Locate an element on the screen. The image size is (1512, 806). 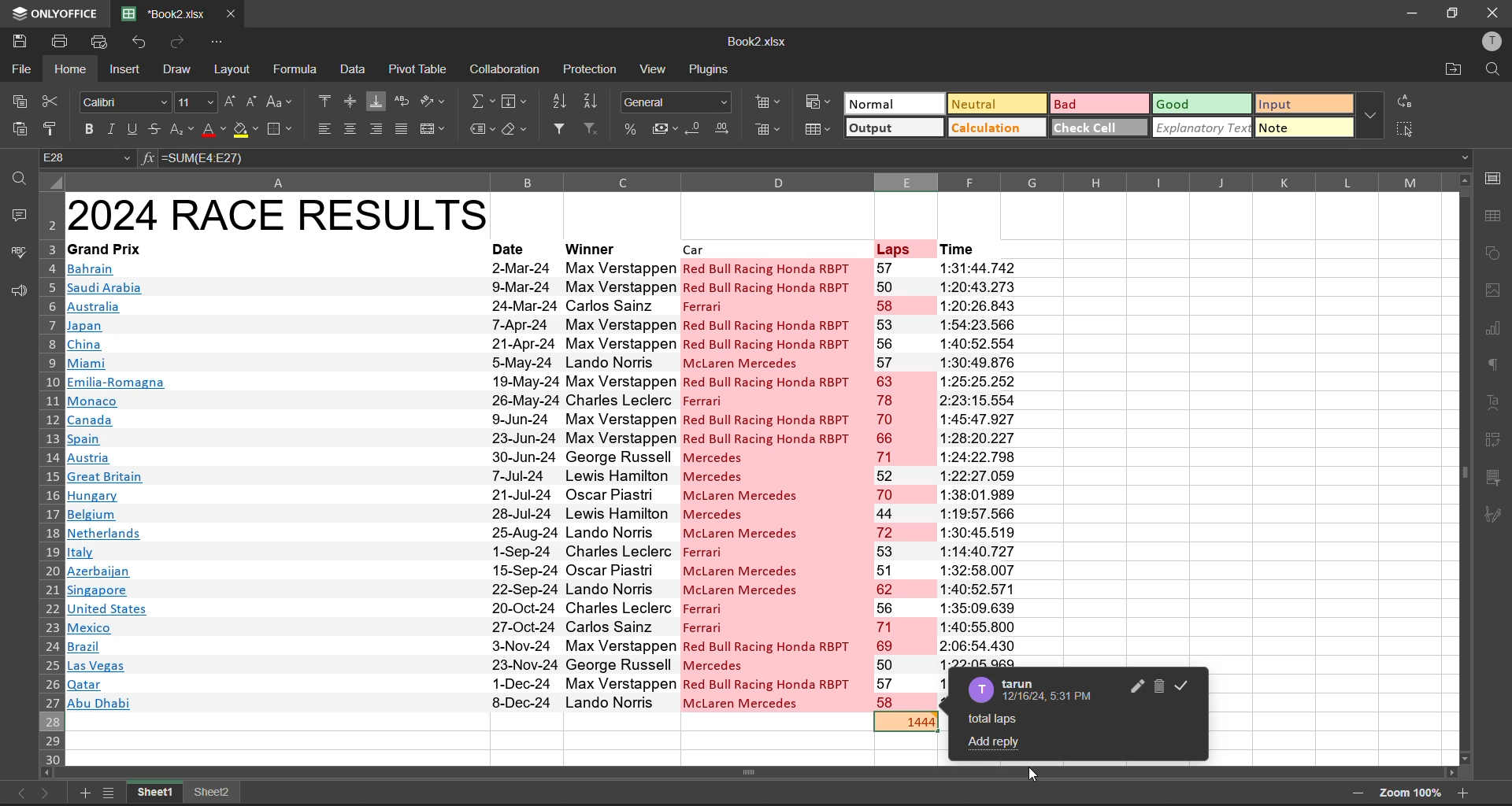
filename is located at coordinates (760, 43).